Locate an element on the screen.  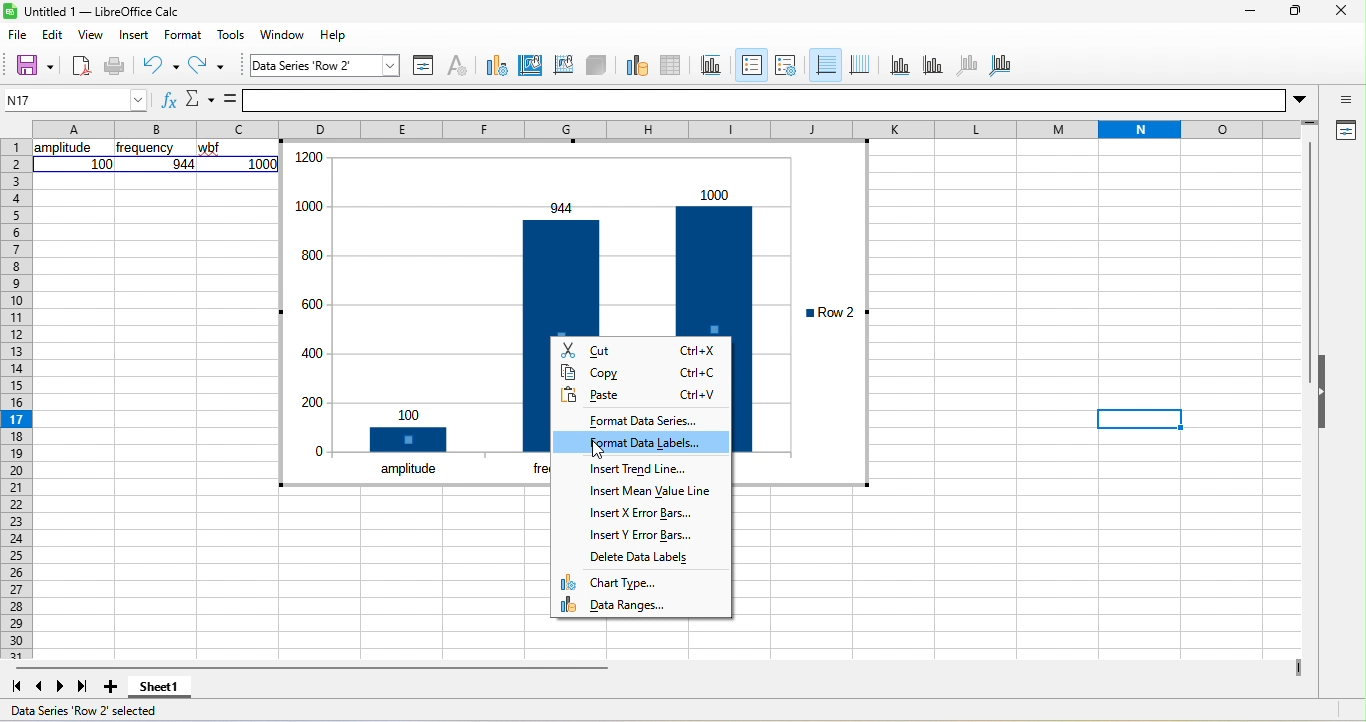
data series row 2 is located at coordinates (326, 65).